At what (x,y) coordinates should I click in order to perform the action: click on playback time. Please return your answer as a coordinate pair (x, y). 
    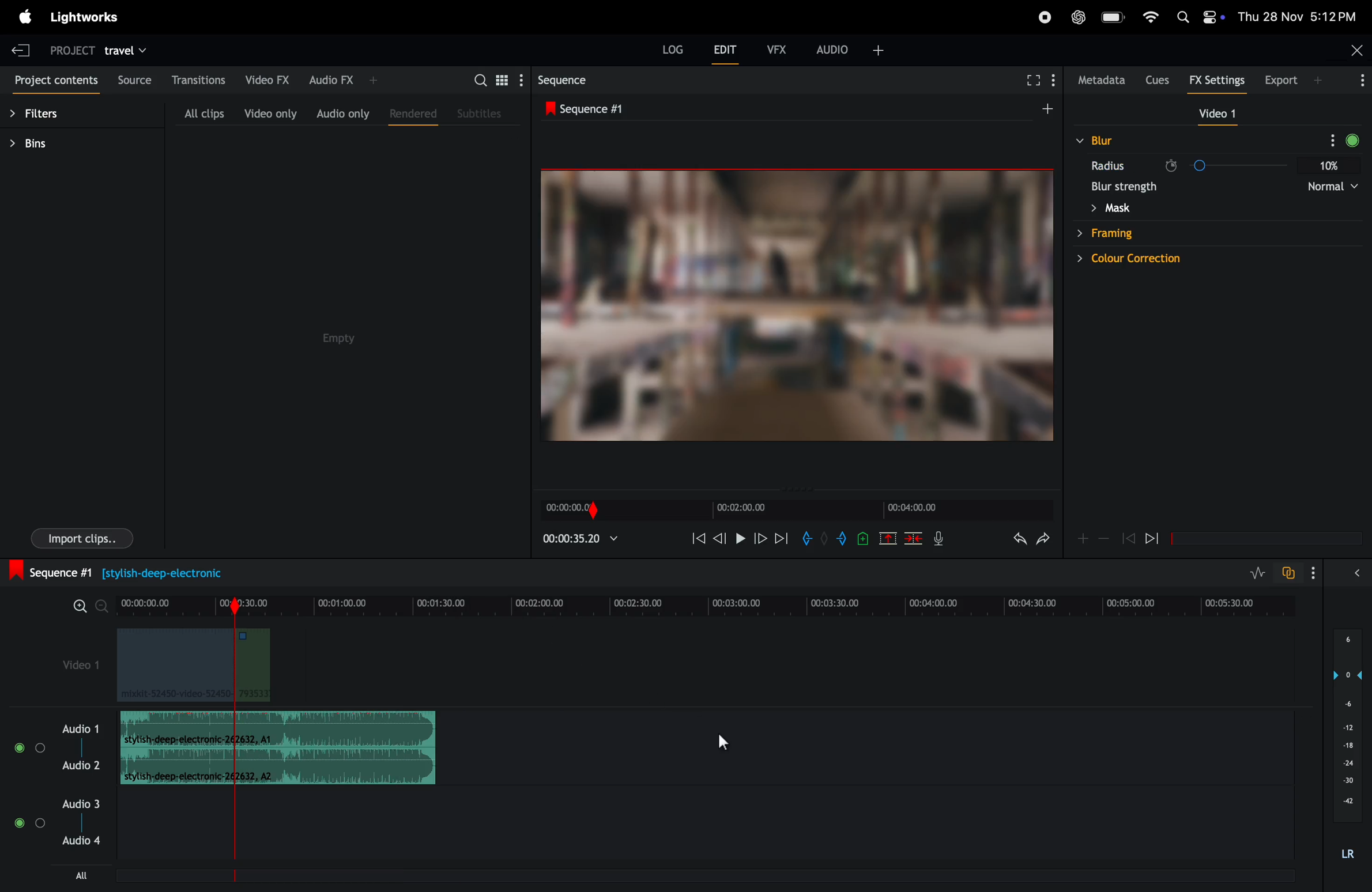
    Looking at the image, I should click on (584, 541).